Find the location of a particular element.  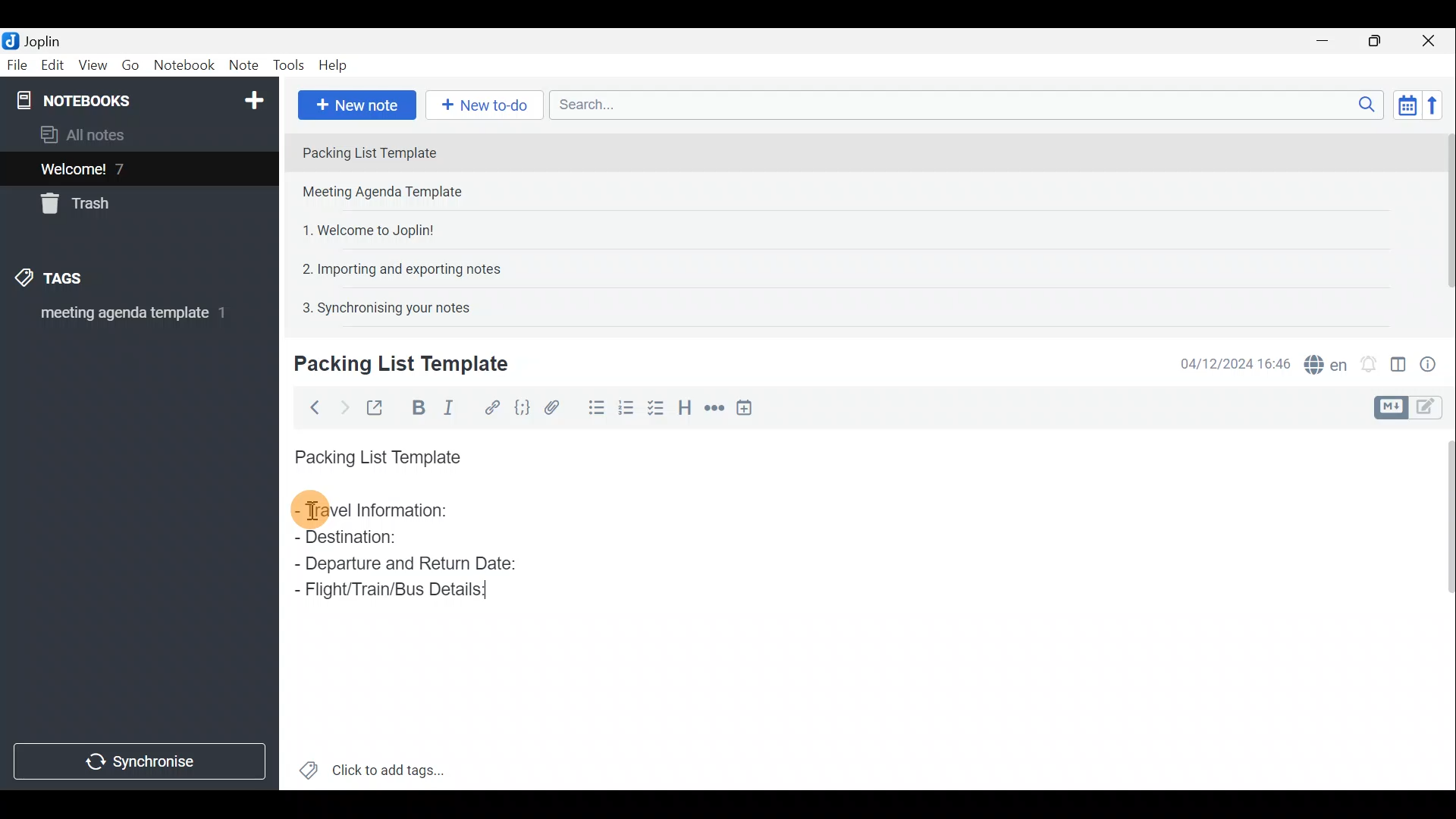

Maximise is located at coordinates (1380, 41).